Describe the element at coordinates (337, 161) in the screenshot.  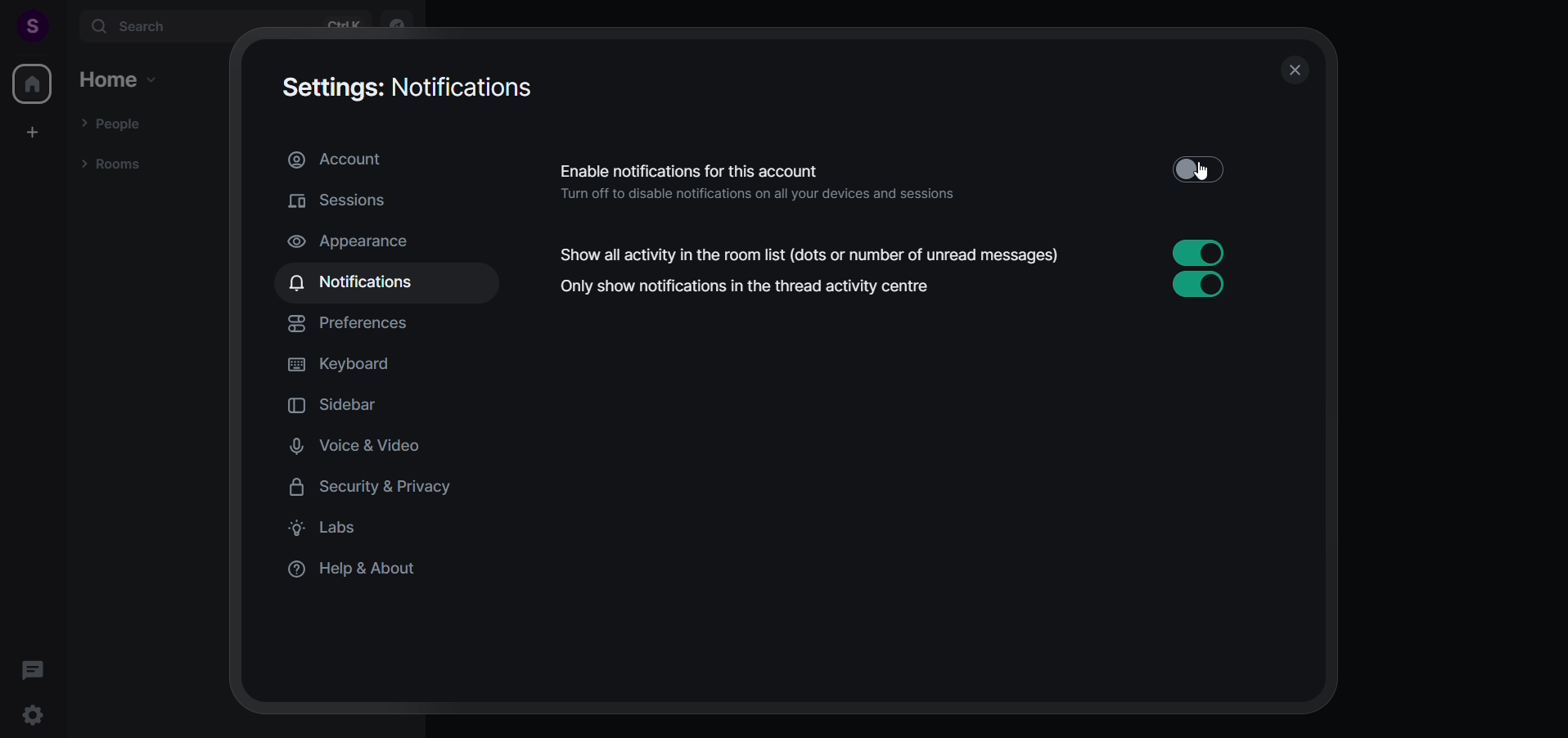
I see `account` at that location.